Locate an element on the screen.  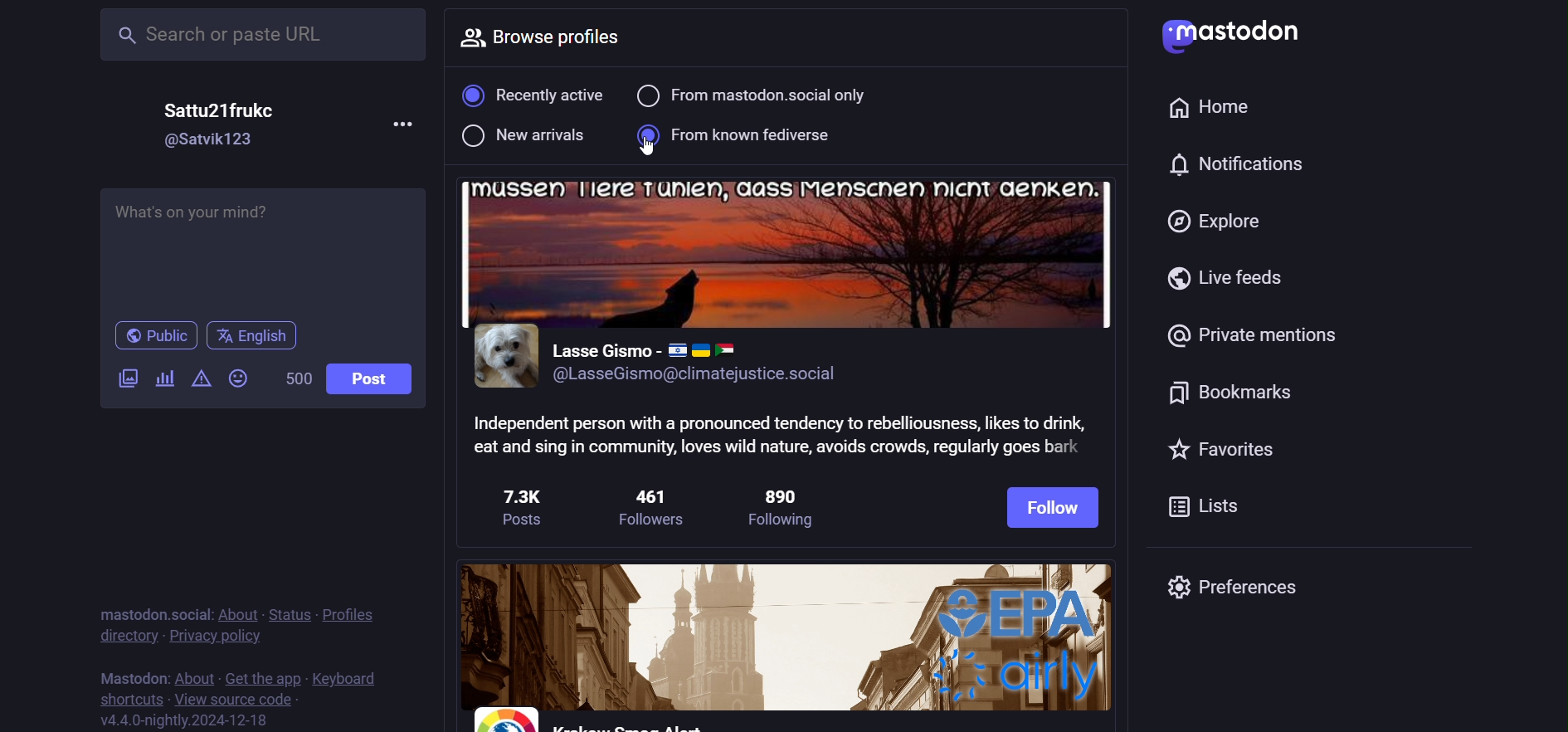
public is located at coordinates (158, 336).